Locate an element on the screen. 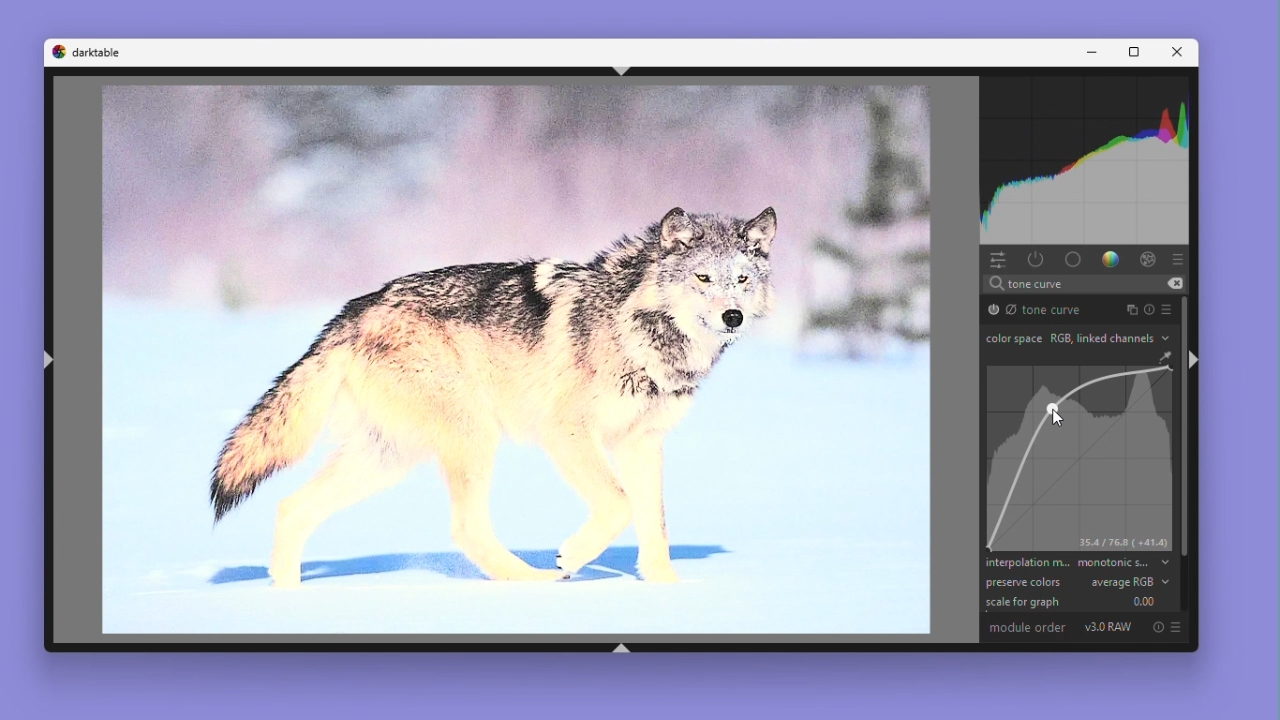 Image resolution: width=1280 pixels, height=720 pixels. Module order  is located at coordinates (1027, 629).